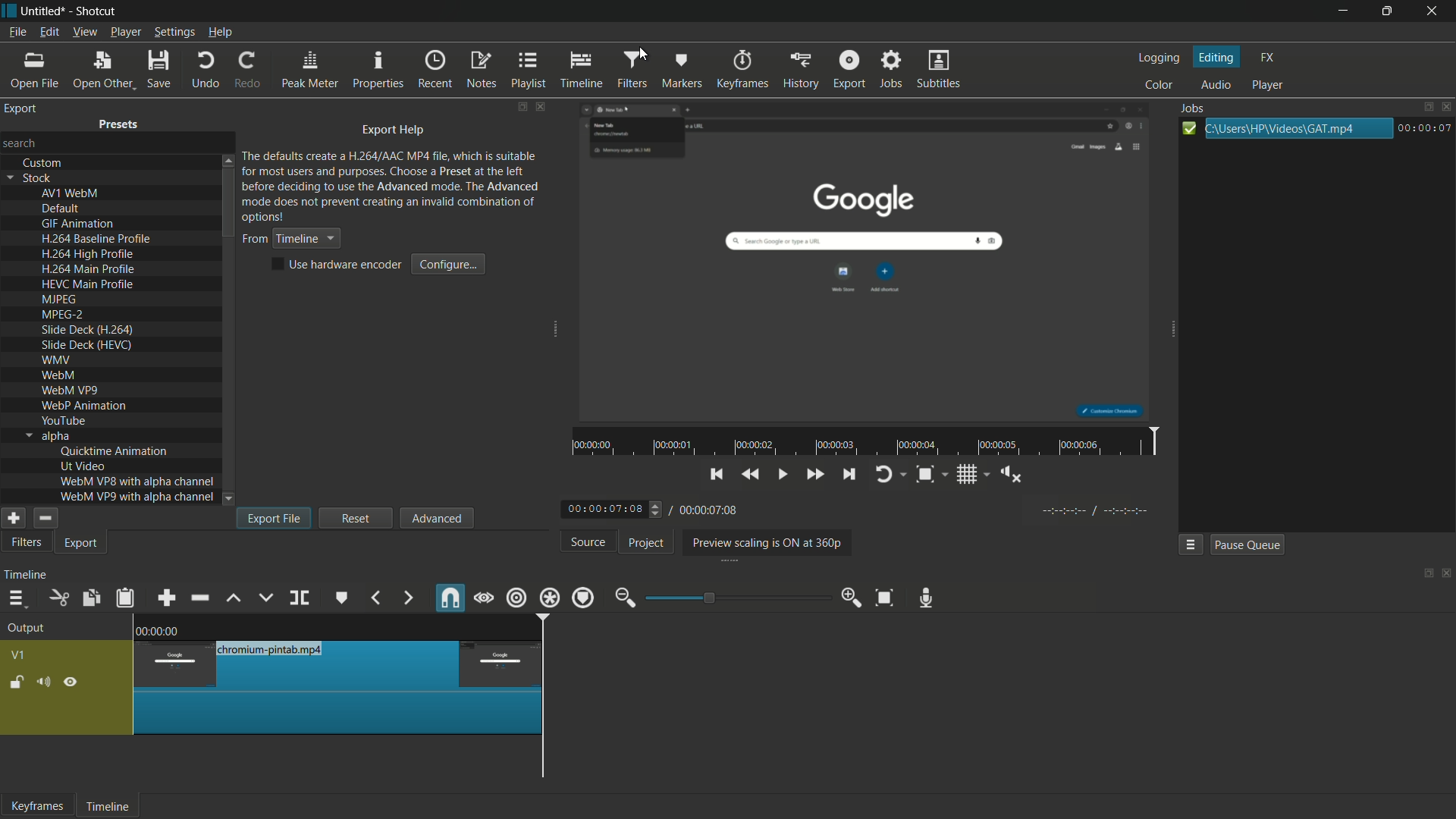 The width and height of the screenshot is (1456, 819). Describe the element at coordinates (83, 544) in the screenshot. I see `export` at that location.